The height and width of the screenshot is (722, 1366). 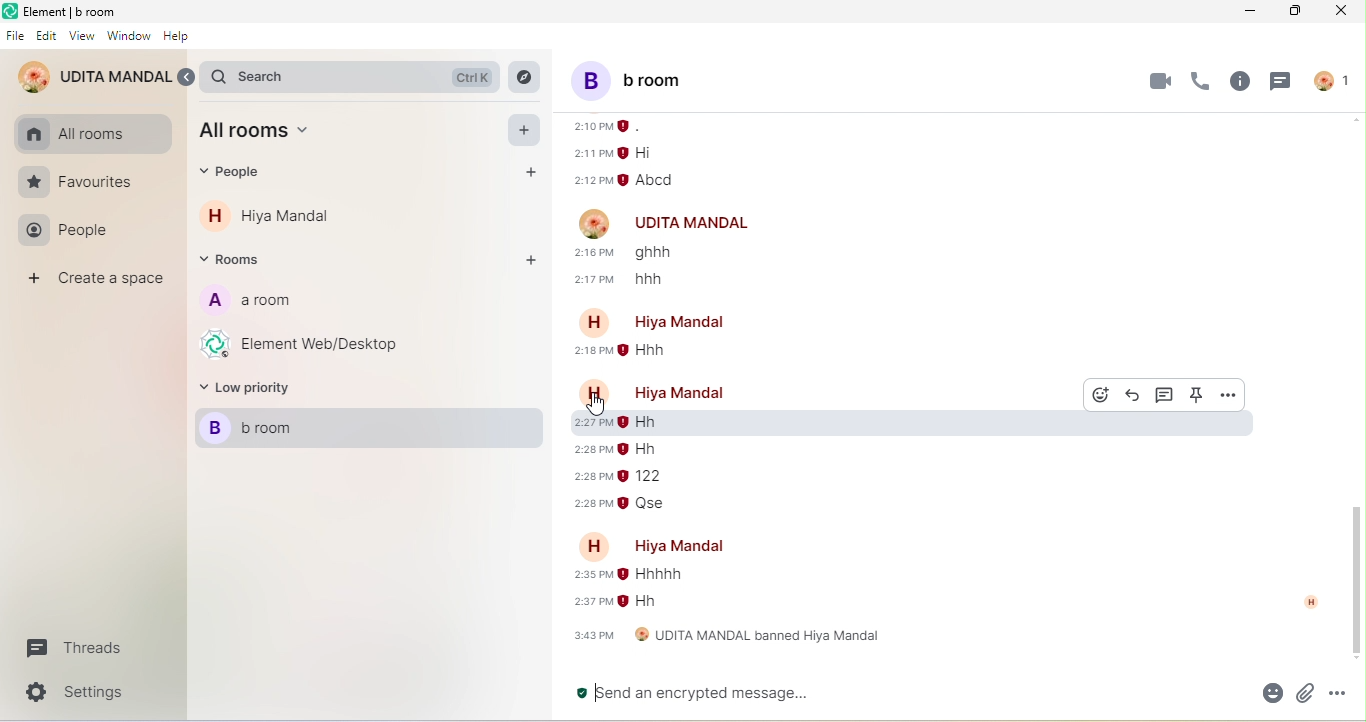 What do you see at coordinates (654, 79) in the screenshot?
I see `b room` at bounding box center [654, 79].